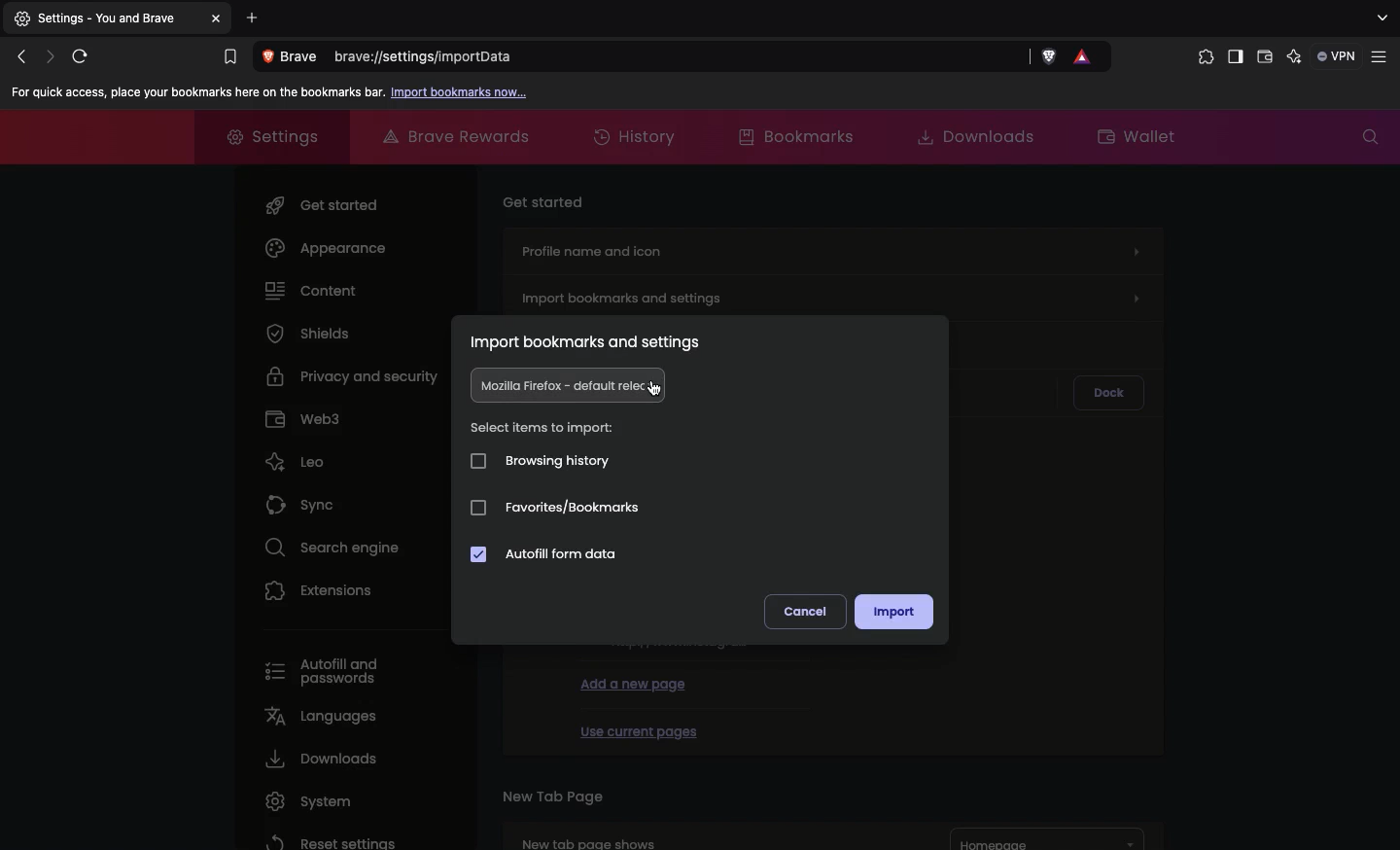  I want to click on Settings, so click(104, 19).